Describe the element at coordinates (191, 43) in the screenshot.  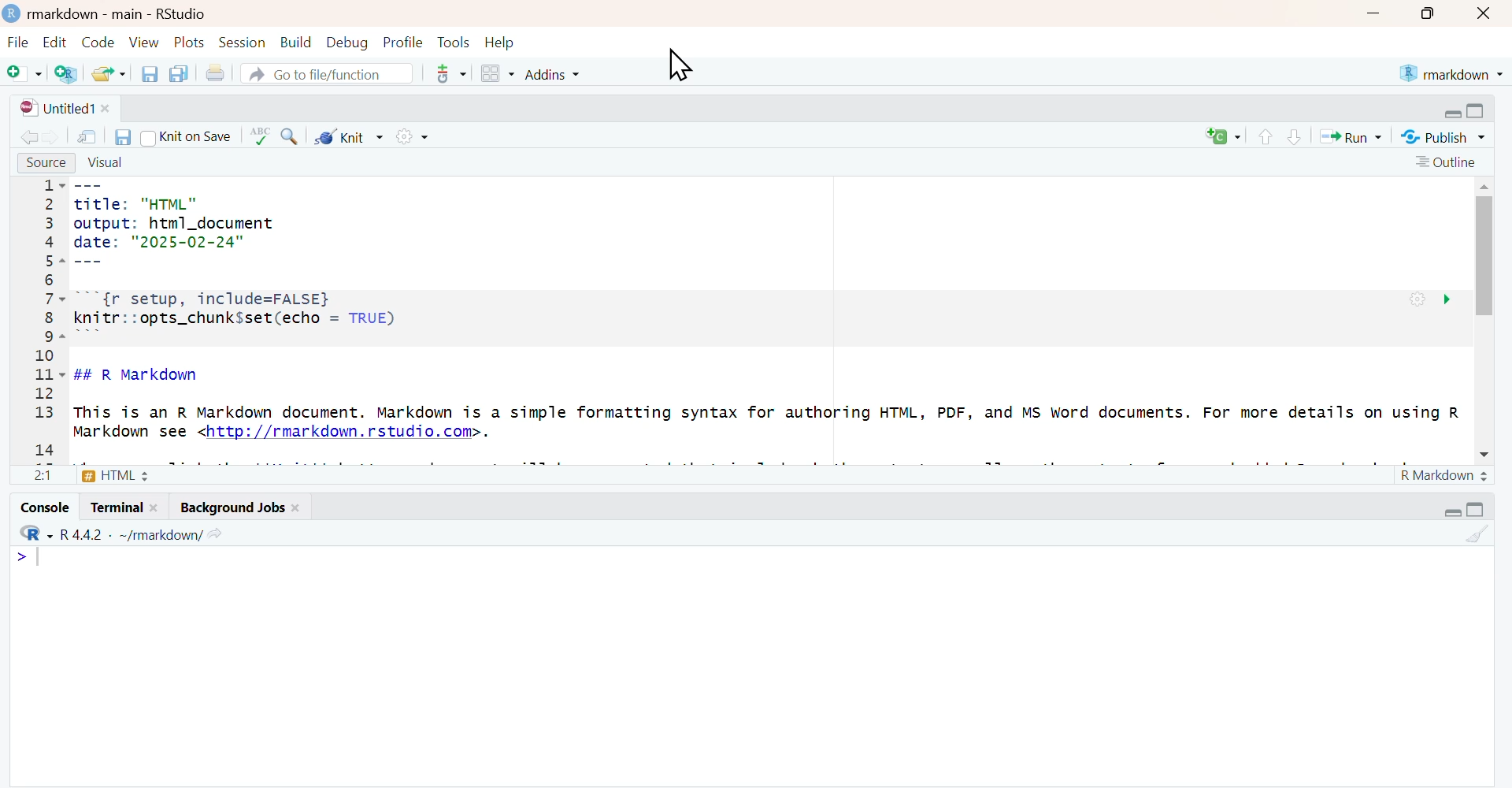
I see `Plots` at that location.